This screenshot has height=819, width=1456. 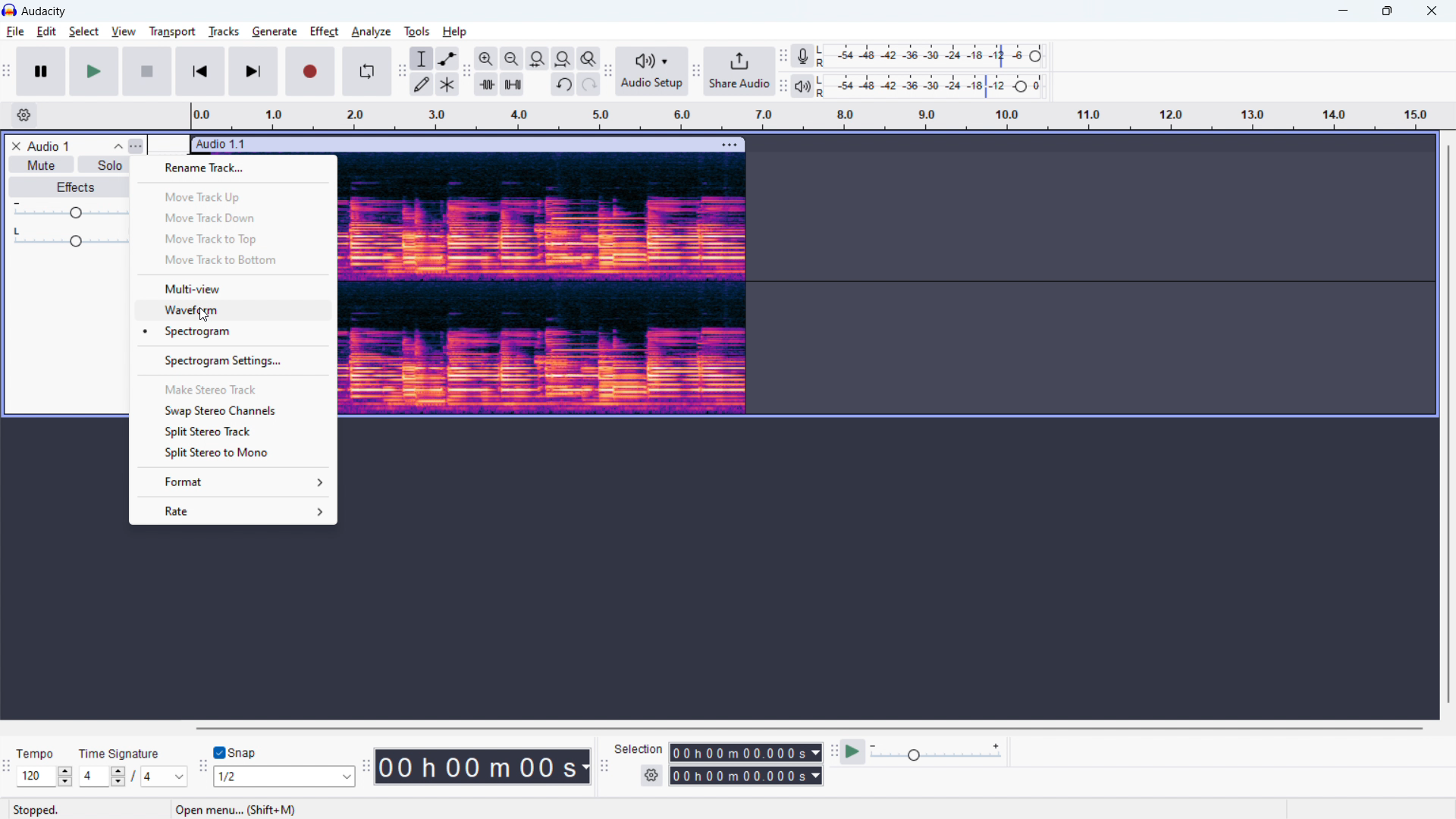 I want to click on split stereo track, so click(x=233, y=432).